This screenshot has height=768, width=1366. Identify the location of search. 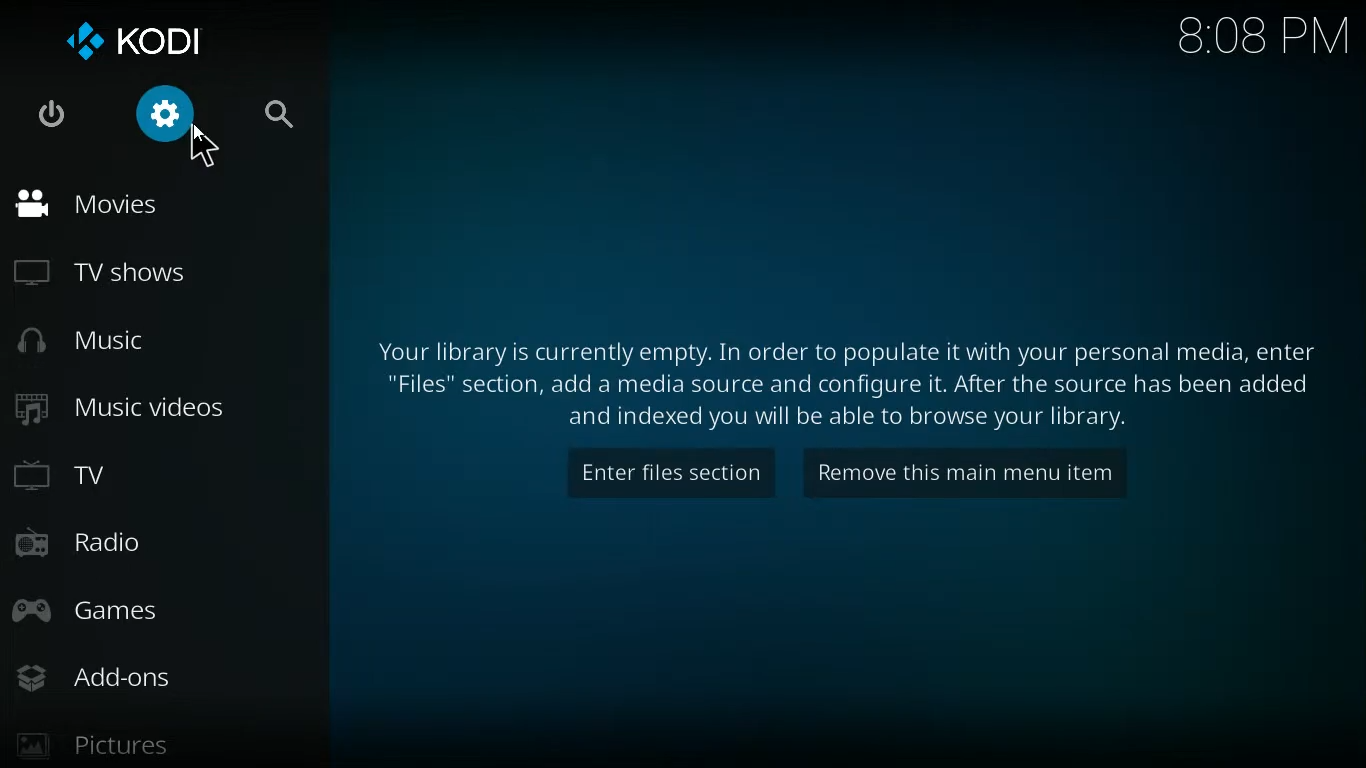
(282, 115).